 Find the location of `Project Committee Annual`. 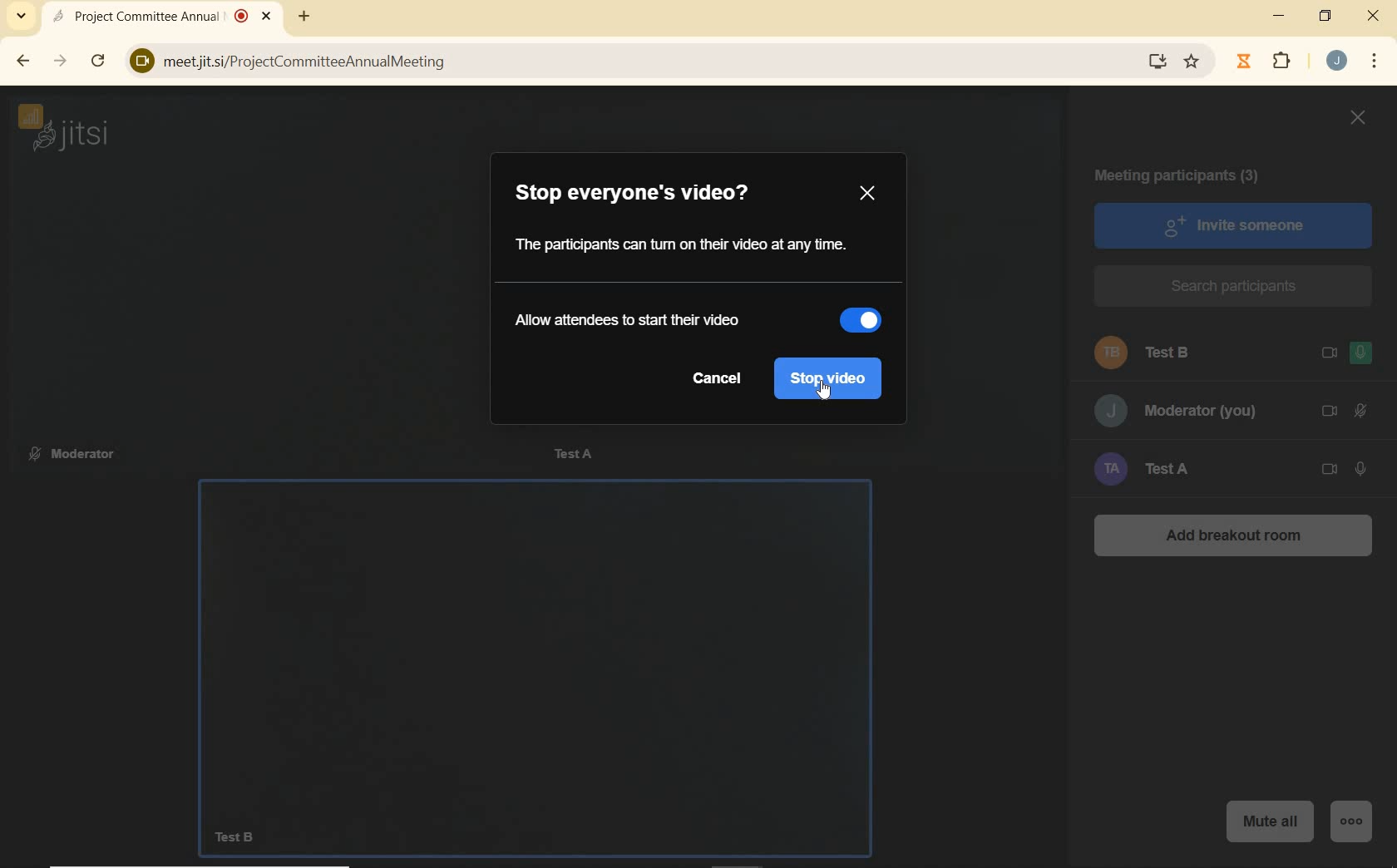

Project Committee Annual is located at coordinates (170, 18).